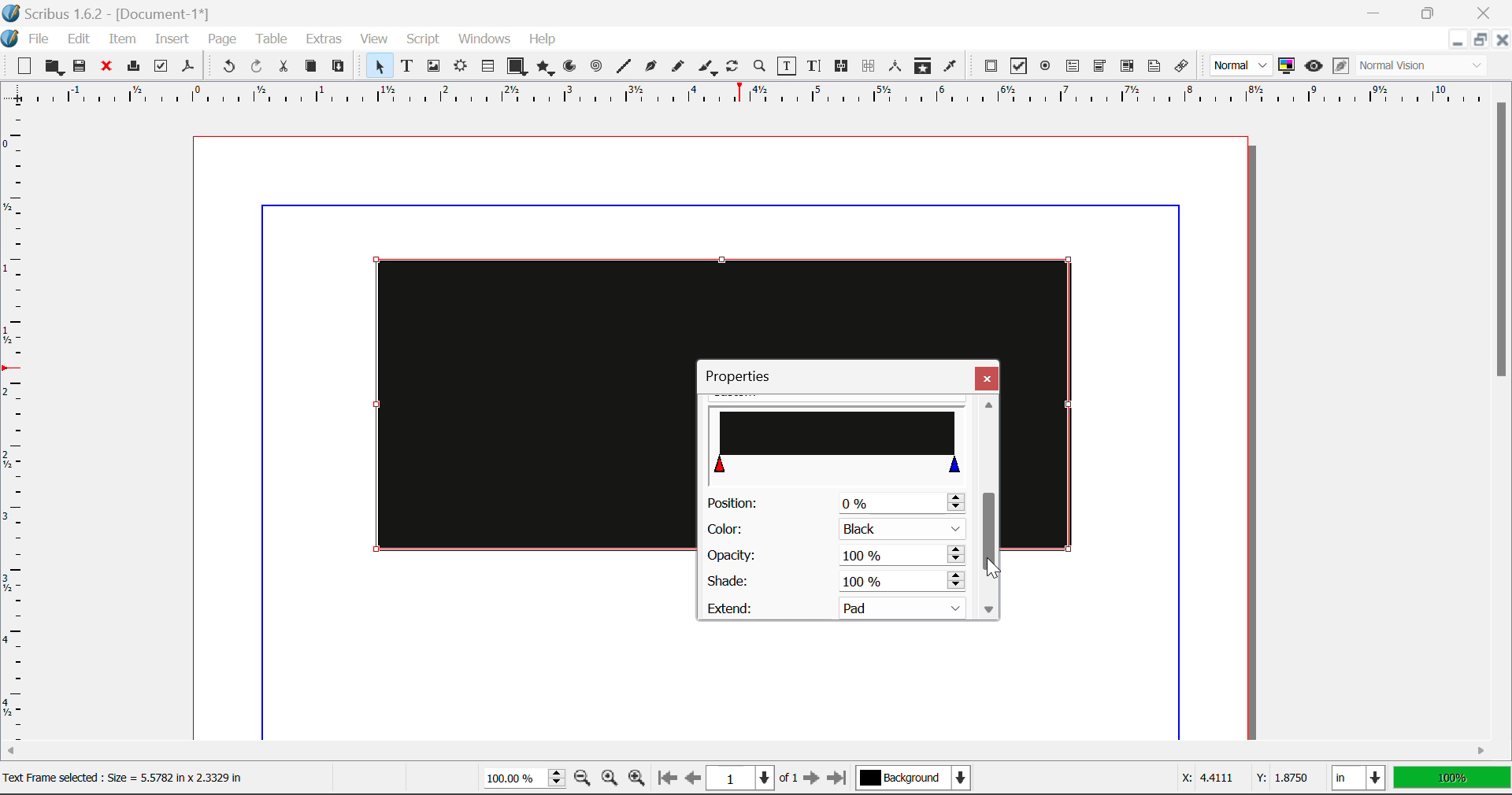 Image resolution: width=1512 pixels, height=795 pixels. I want to click on Previous Page, so click(693, 780).